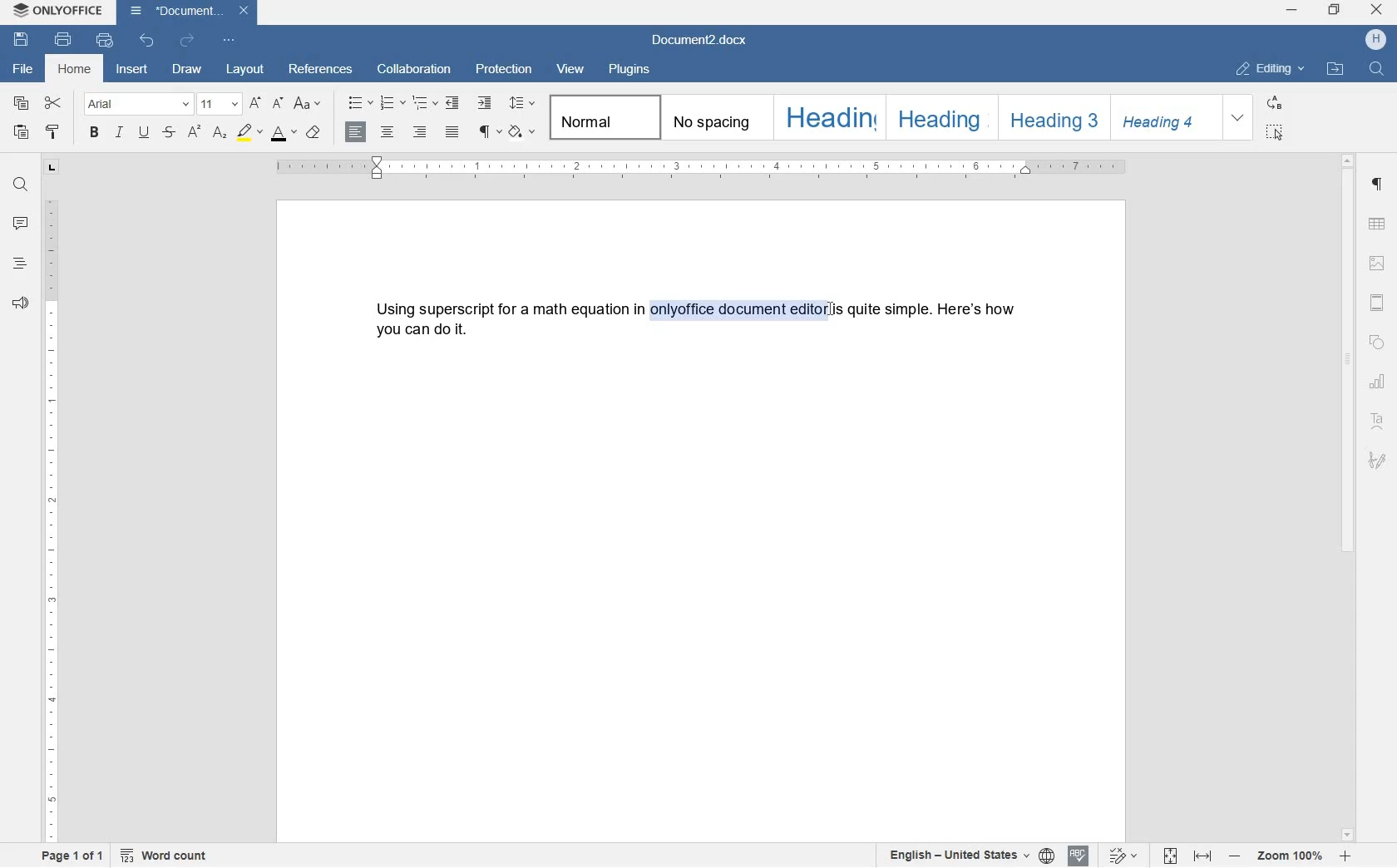  Describe the element at coordinates (1375, 41) in the screenshot. I see `HP` at that location.